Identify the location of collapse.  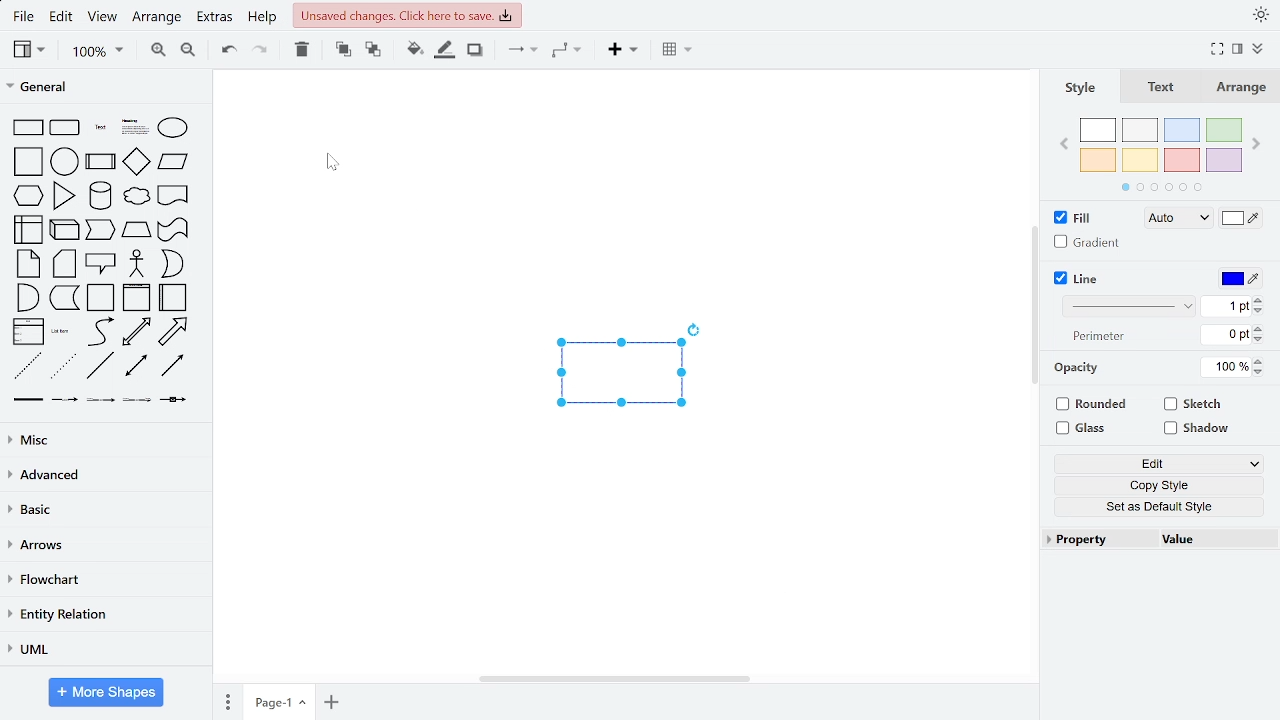
(1238, 51).